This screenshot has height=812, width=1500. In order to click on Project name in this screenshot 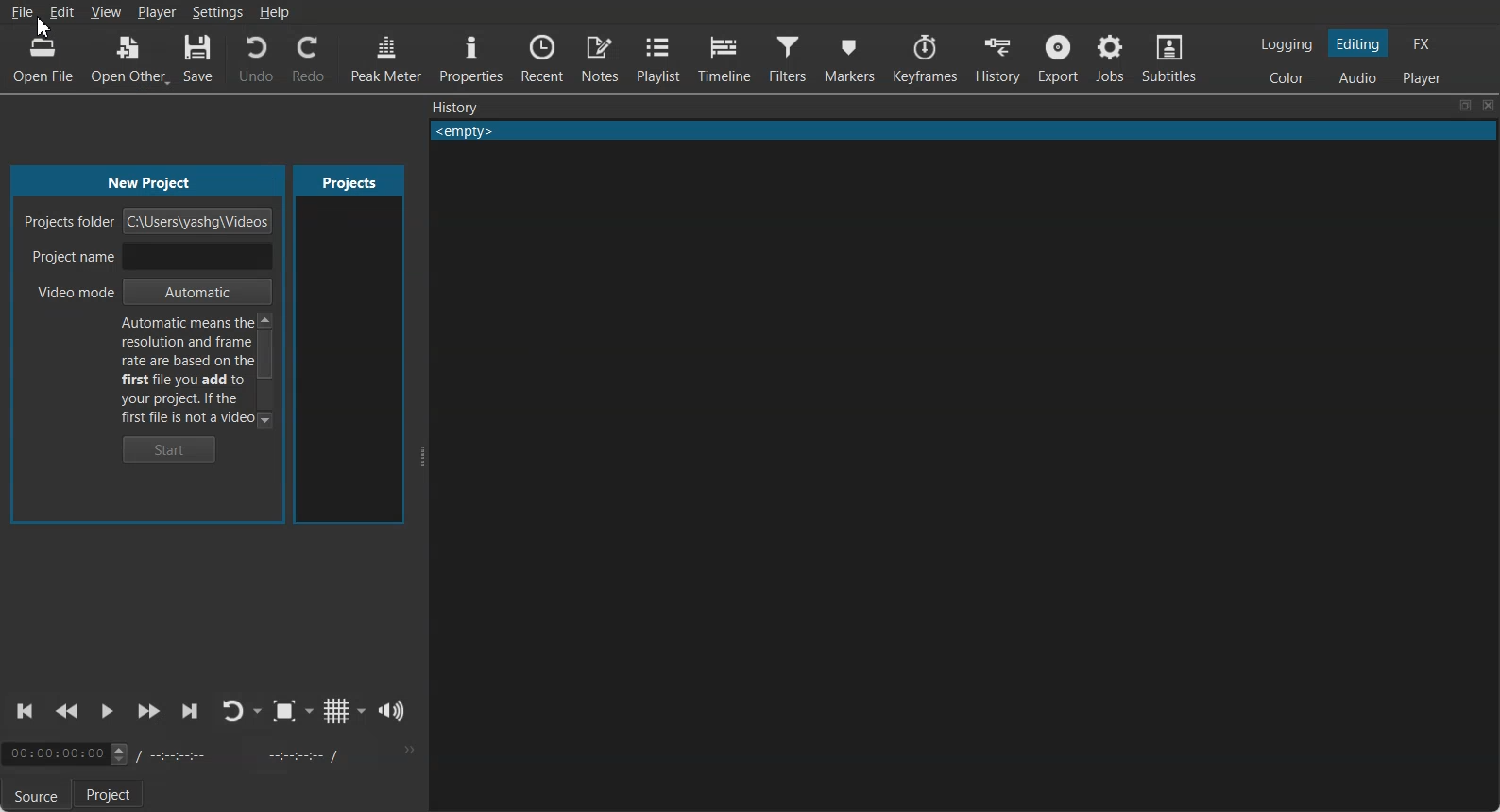, I will do `click(69, 257)`.